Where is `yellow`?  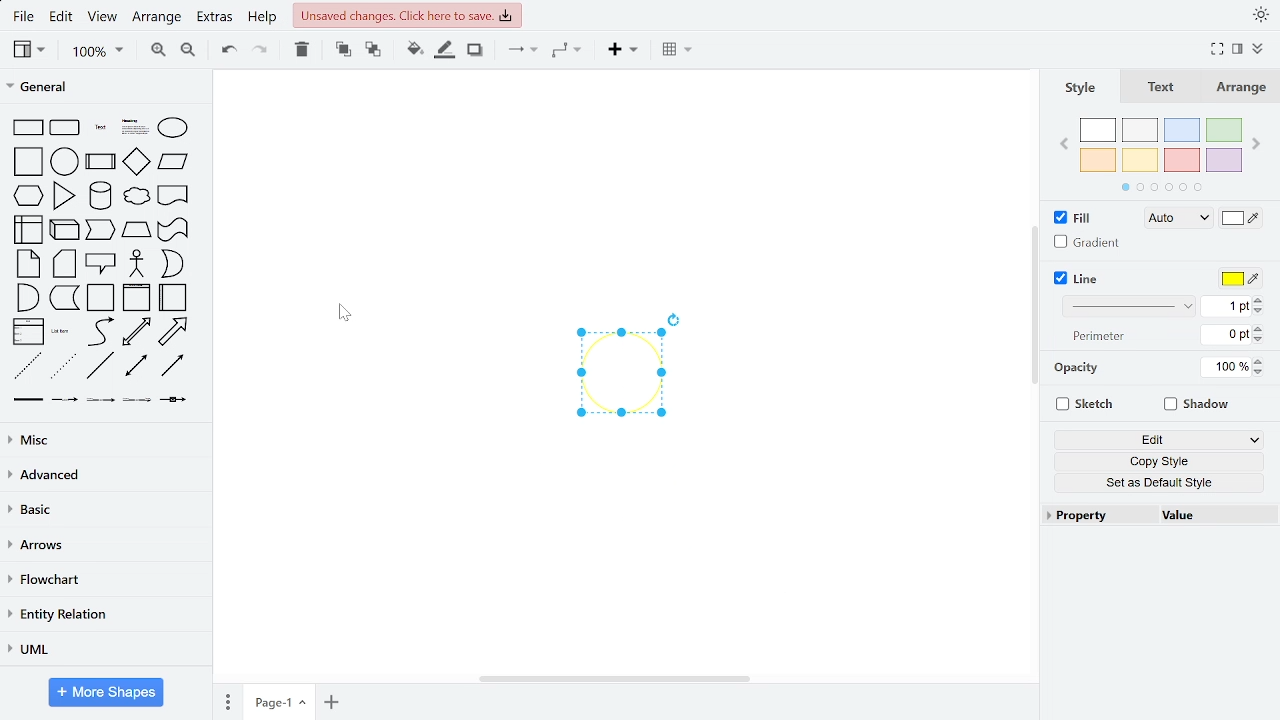 yellow is located at coordinates (1141, 160).